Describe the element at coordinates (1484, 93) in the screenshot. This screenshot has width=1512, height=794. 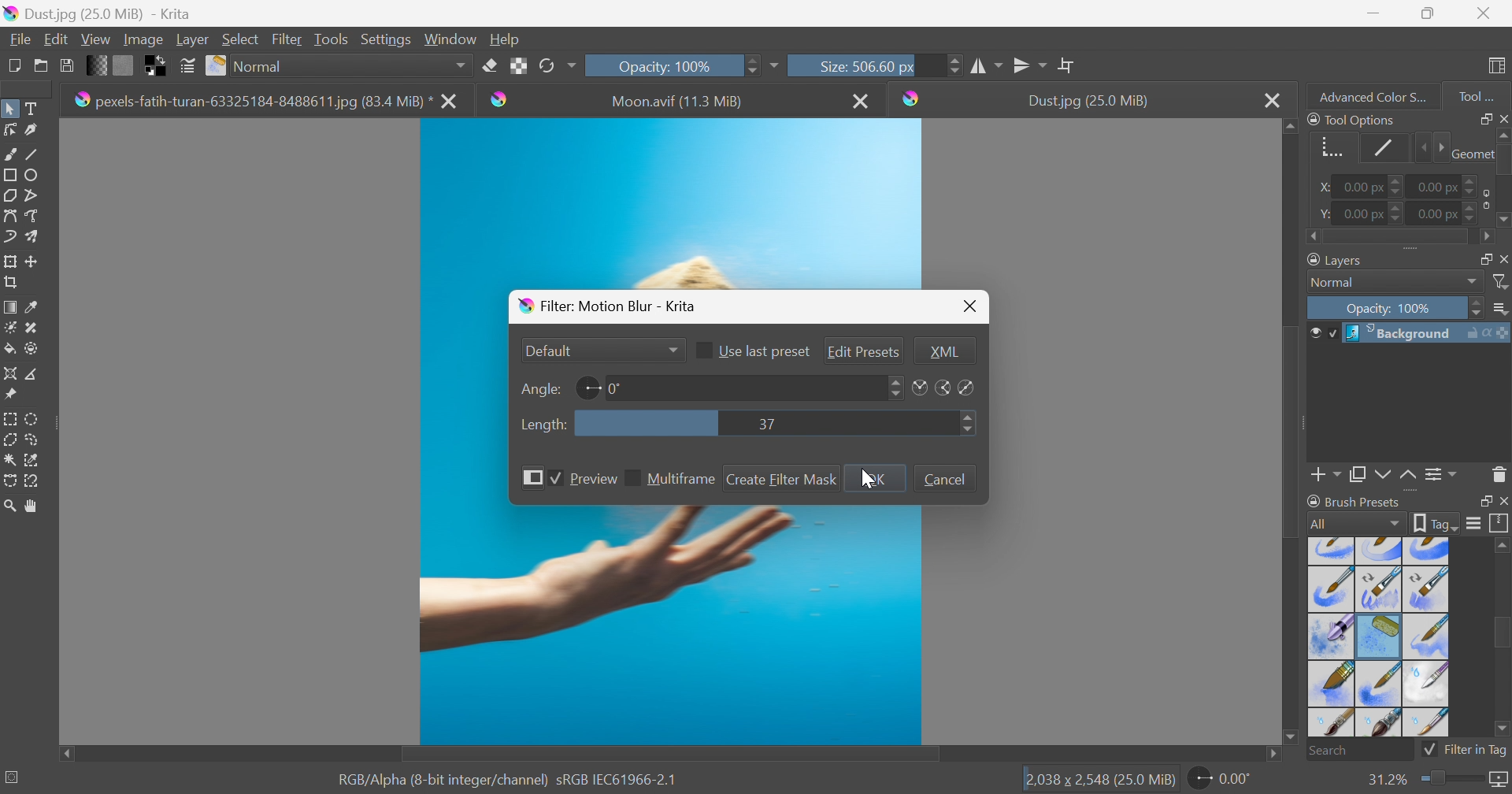
I see `Tool...` at that location.